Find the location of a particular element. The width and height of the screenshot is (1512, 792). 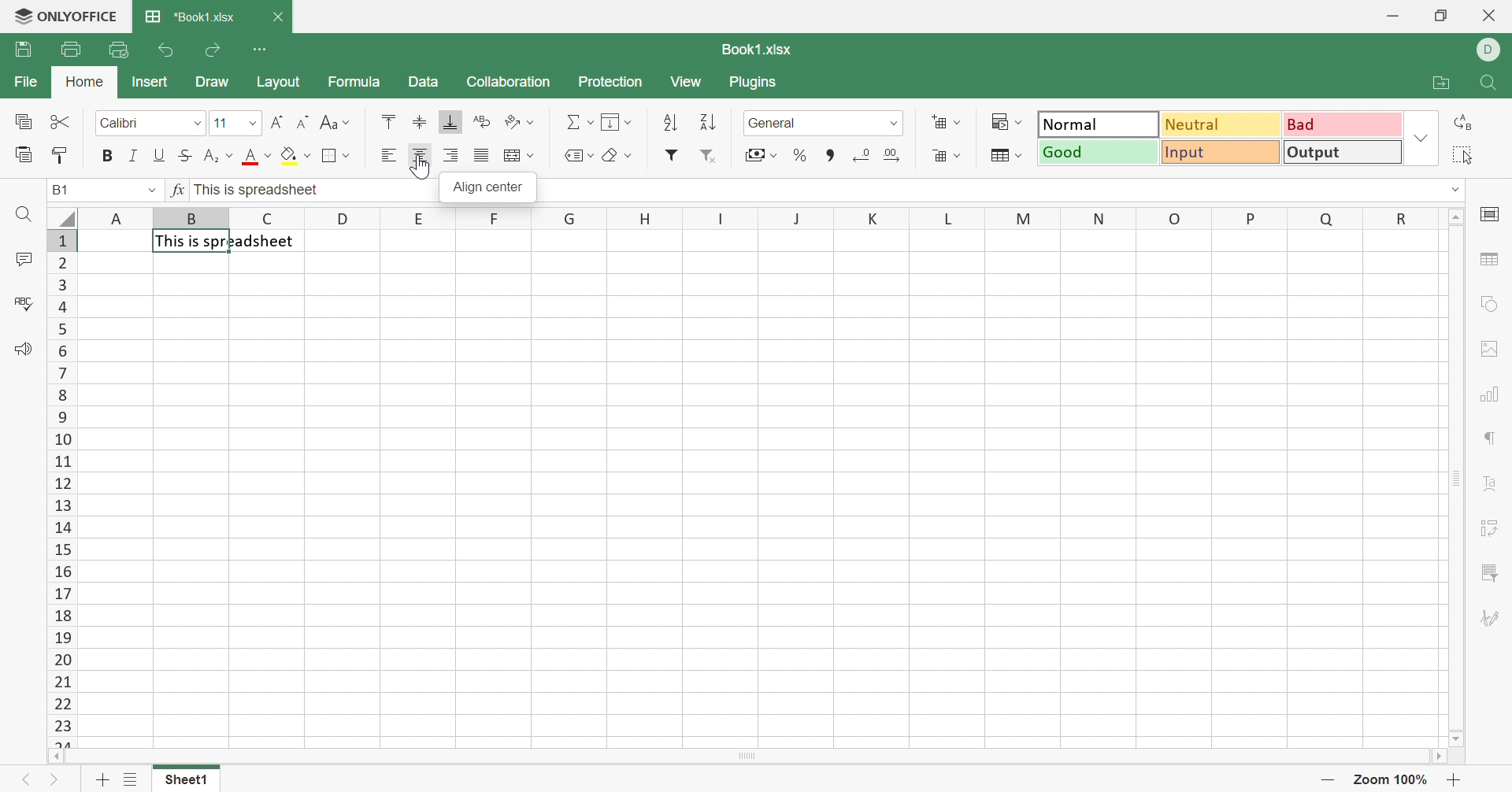

Align Right is located at coordinates (452, 154).